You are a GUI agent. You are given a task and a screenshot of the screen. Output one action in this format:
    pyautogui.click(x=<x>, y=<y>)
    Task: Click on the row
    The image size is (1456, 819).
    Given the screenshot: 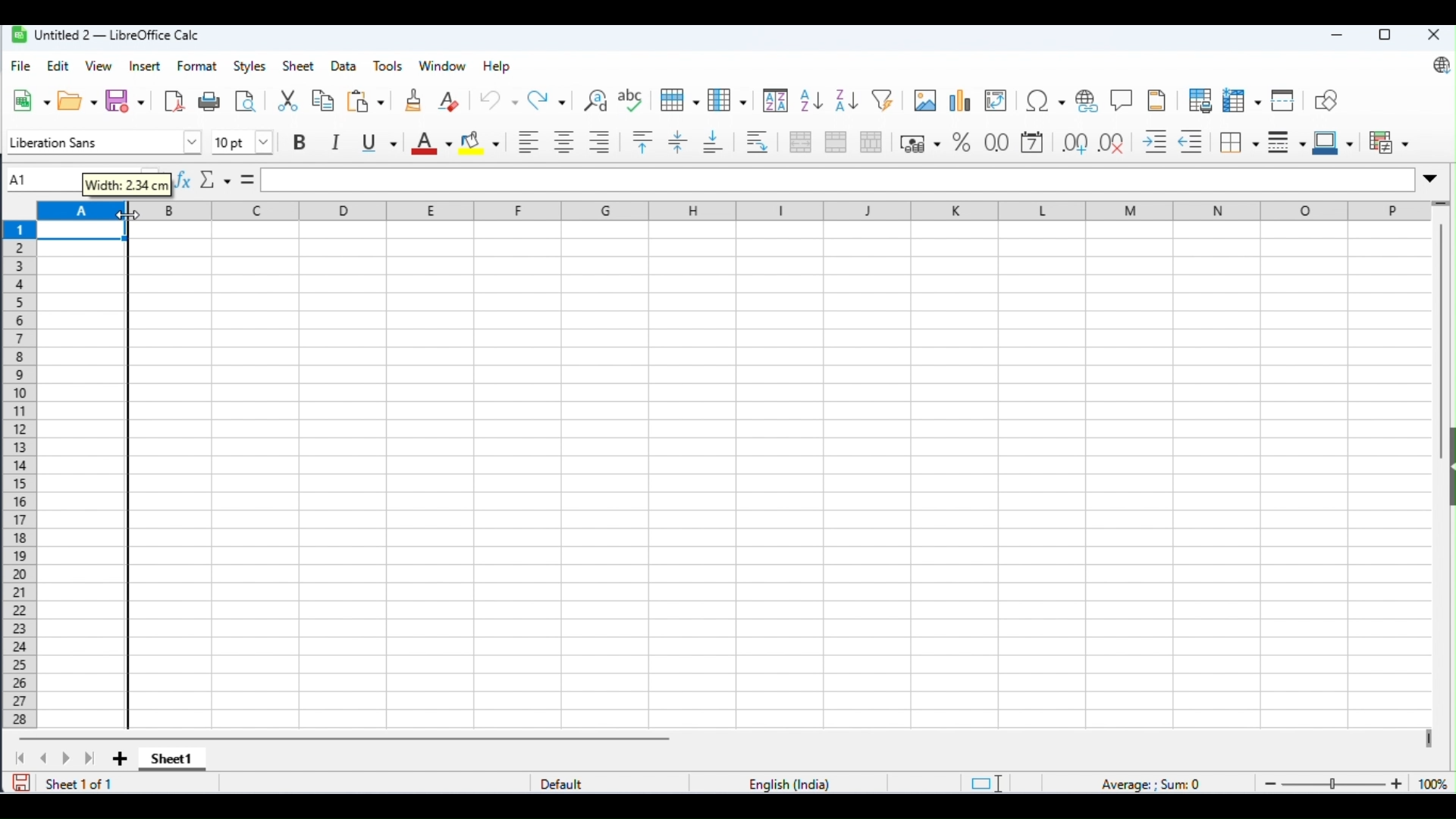 What is the action you would take?
    pyautogui.click(x=679, y=100)
    